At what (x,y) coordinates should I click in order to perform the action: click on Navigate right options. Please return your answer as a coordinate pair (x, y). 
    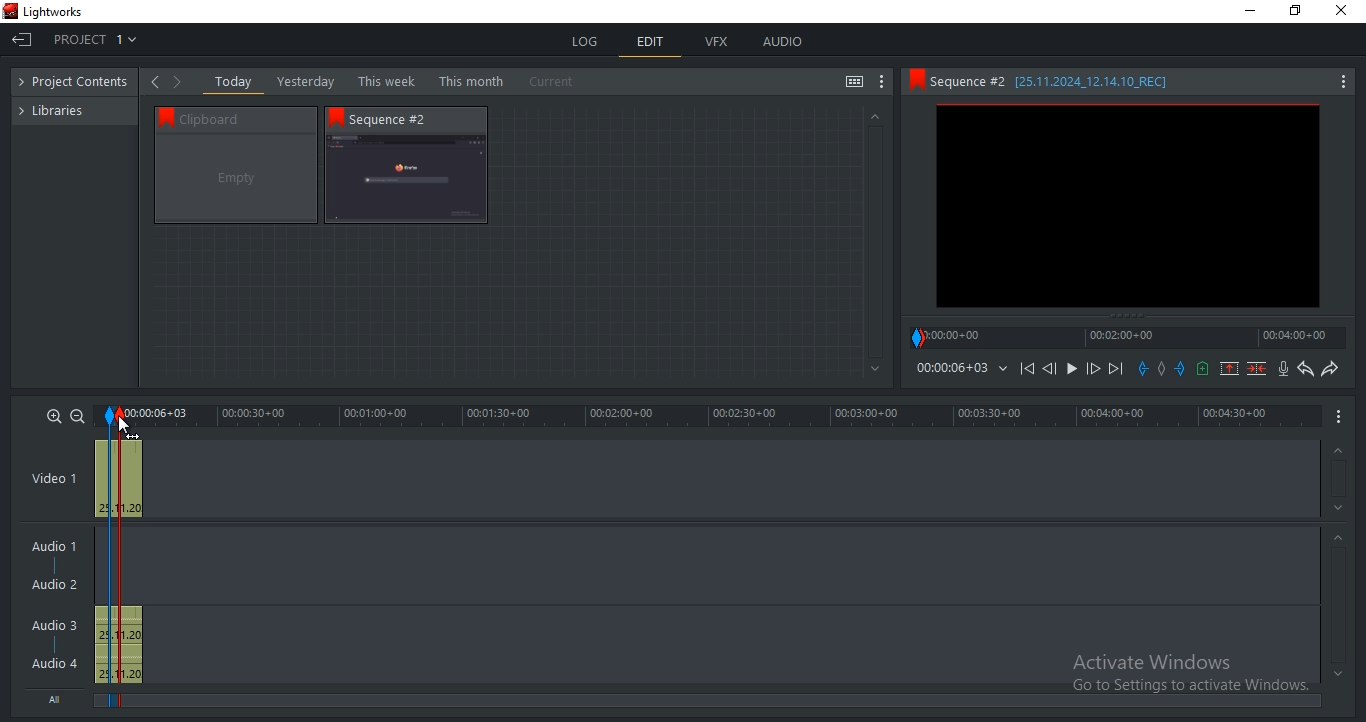
    Looking at the image, I should click on (181, 82).